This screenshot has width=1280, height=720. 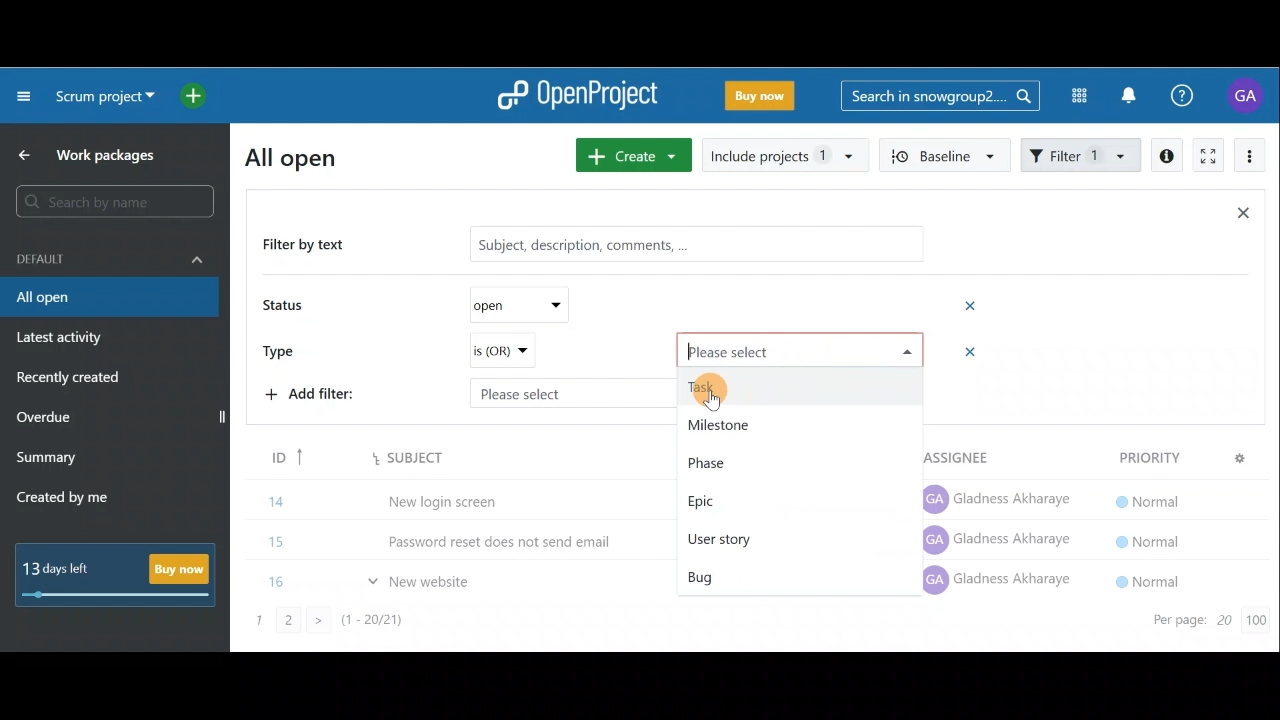 What do you see at coordinates (383, 497) in the screenshot?
I see `Item 14` at bounding box center [383, 497].